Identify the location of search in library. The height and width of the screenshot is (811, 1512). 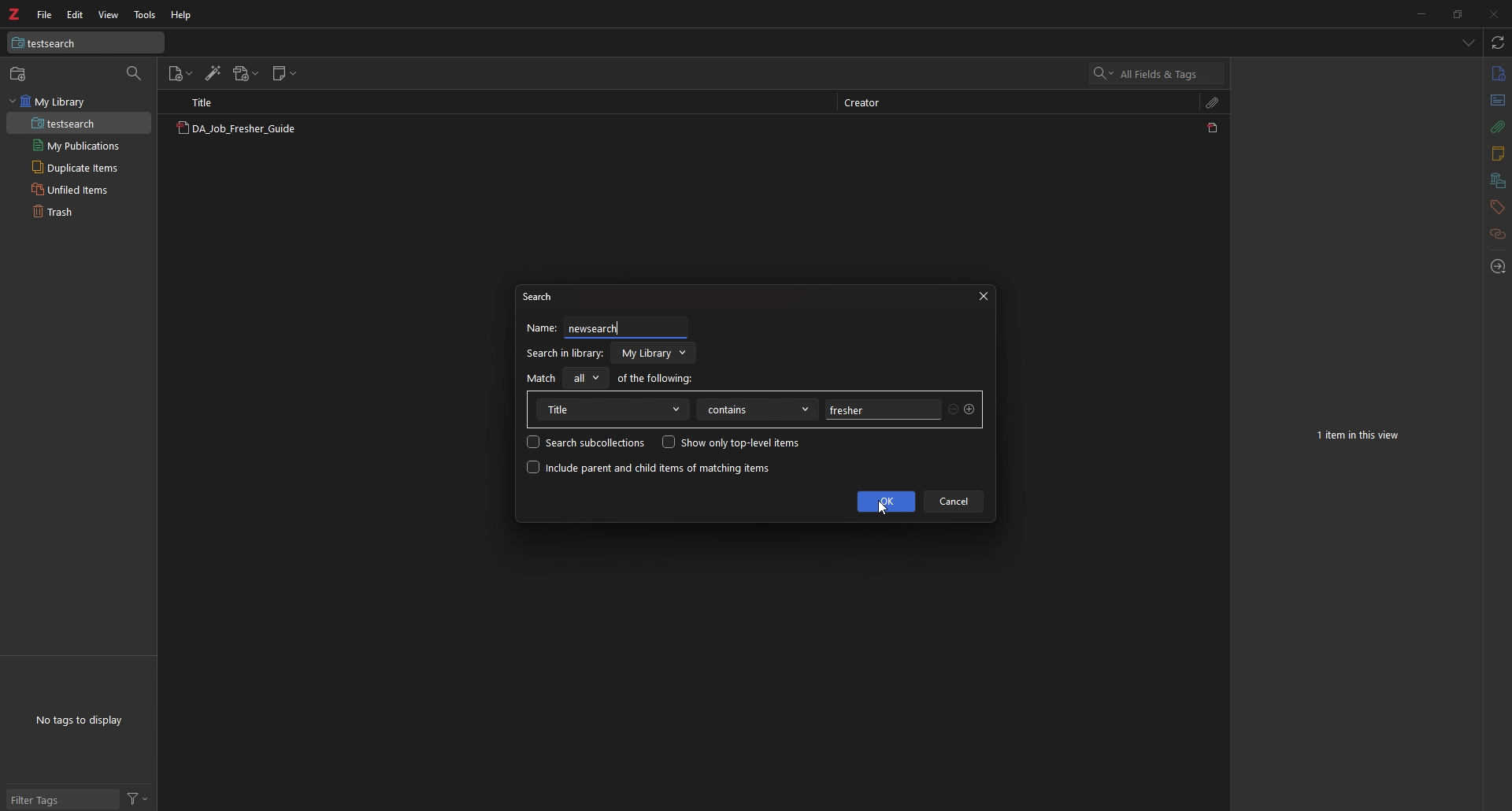
(565, 354).